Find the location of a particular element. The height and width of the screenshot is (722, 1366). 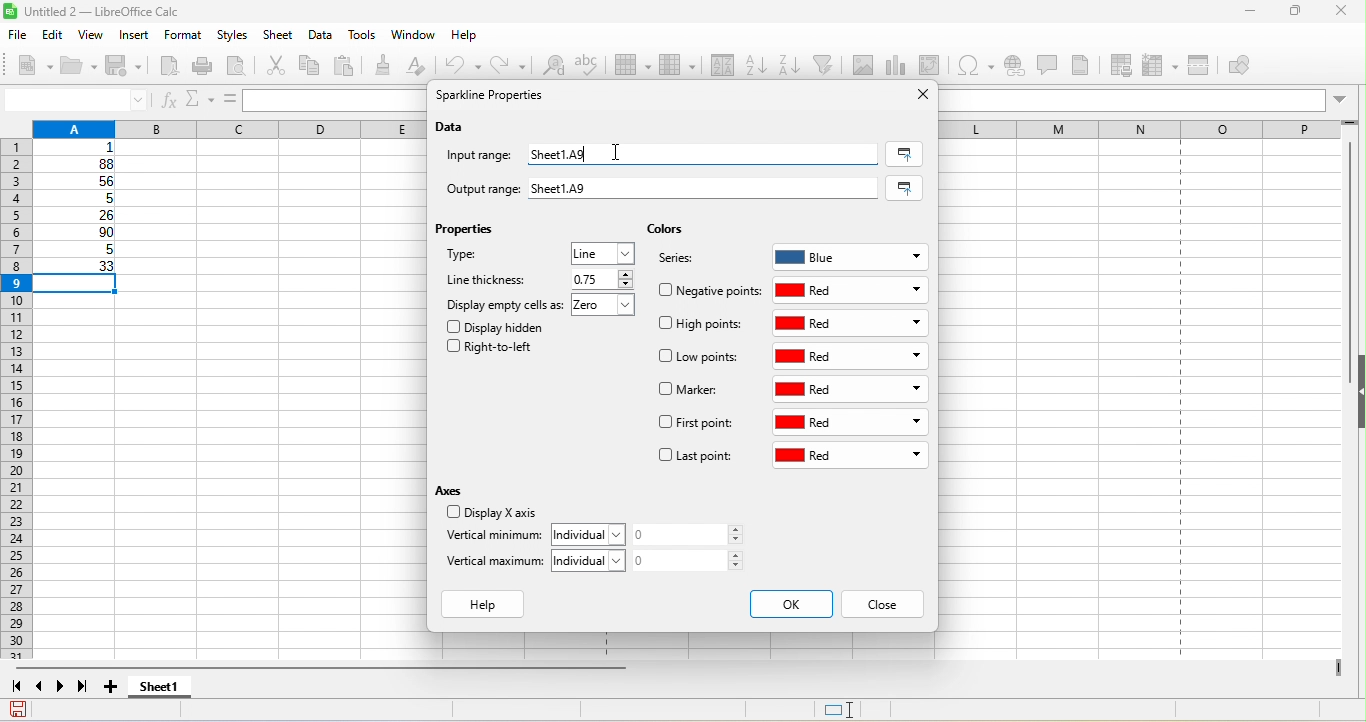

clone formatting is located at coordinates (387, 65).